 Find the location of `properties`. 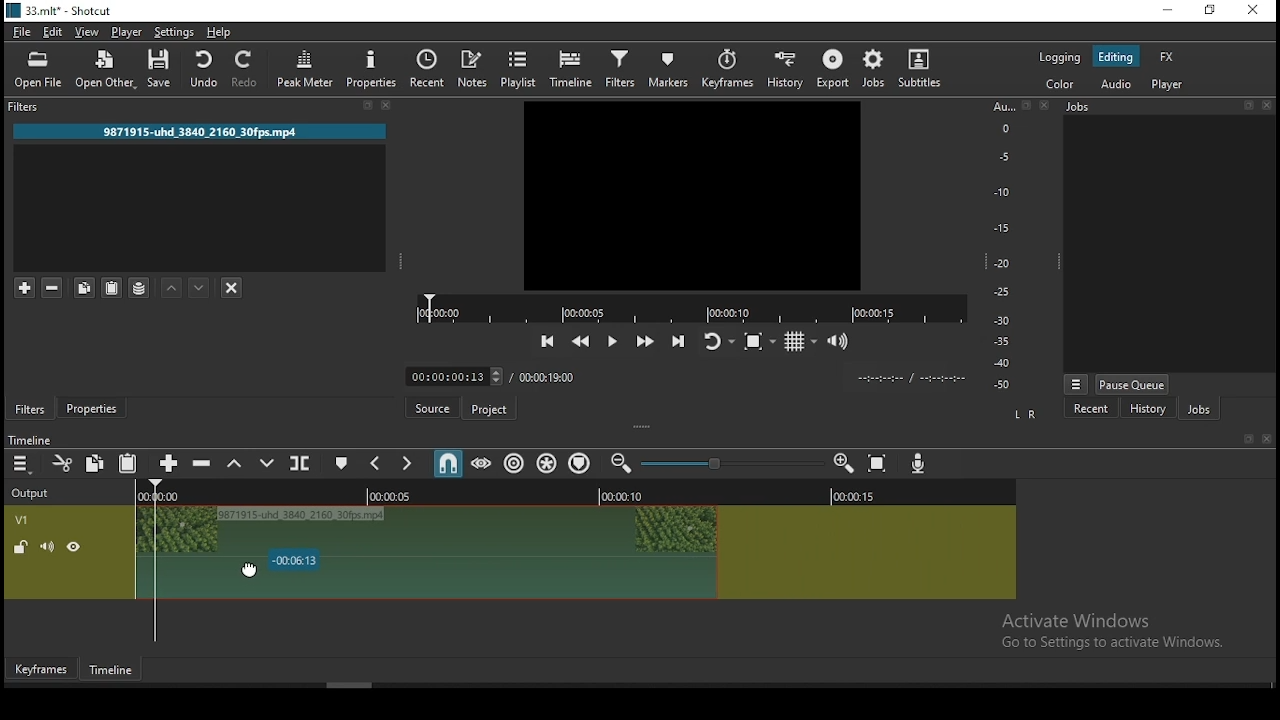

properties is located at coordinates (373, 70).